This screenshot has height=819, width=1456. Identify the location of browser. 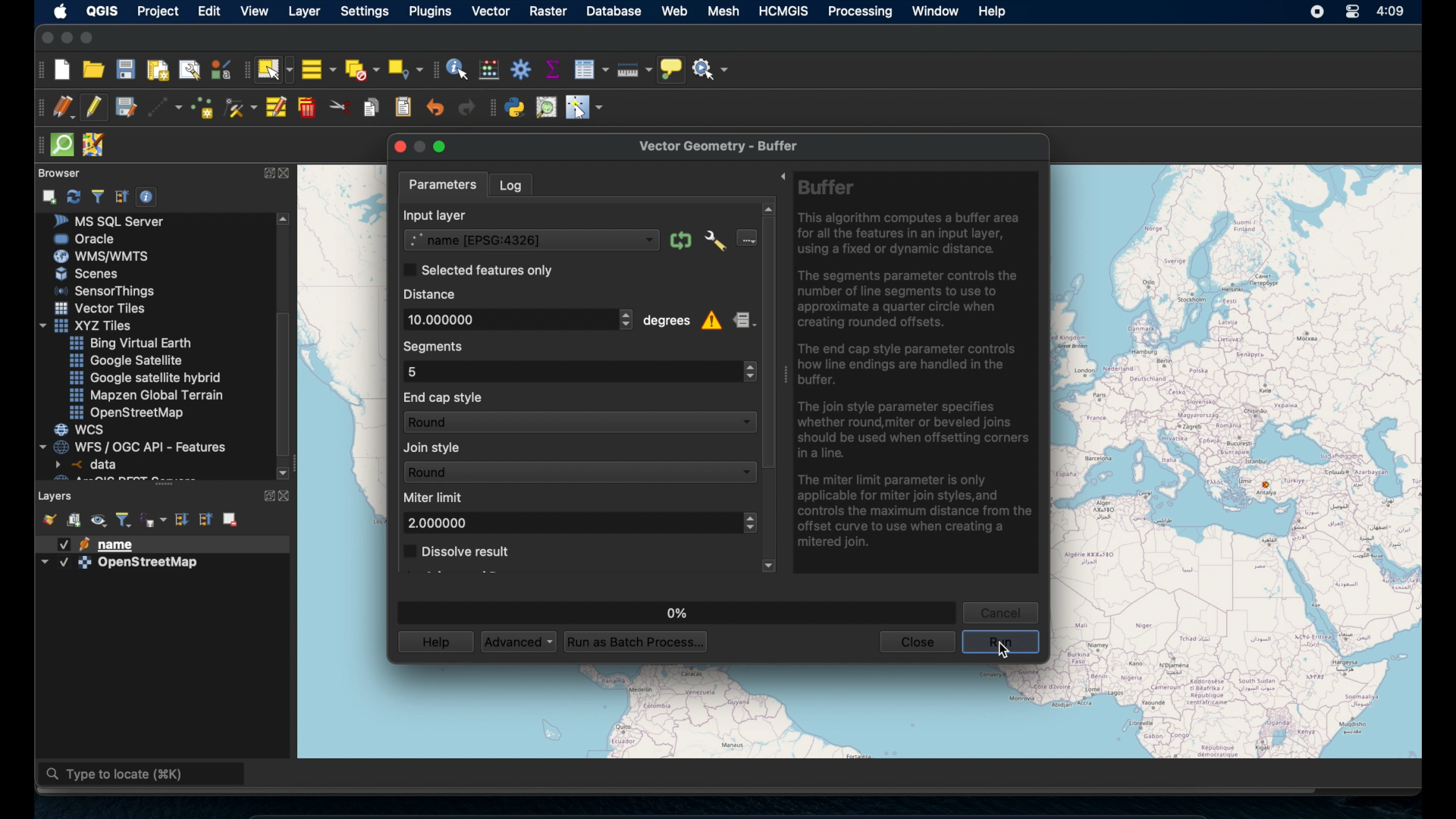
(57, 171).